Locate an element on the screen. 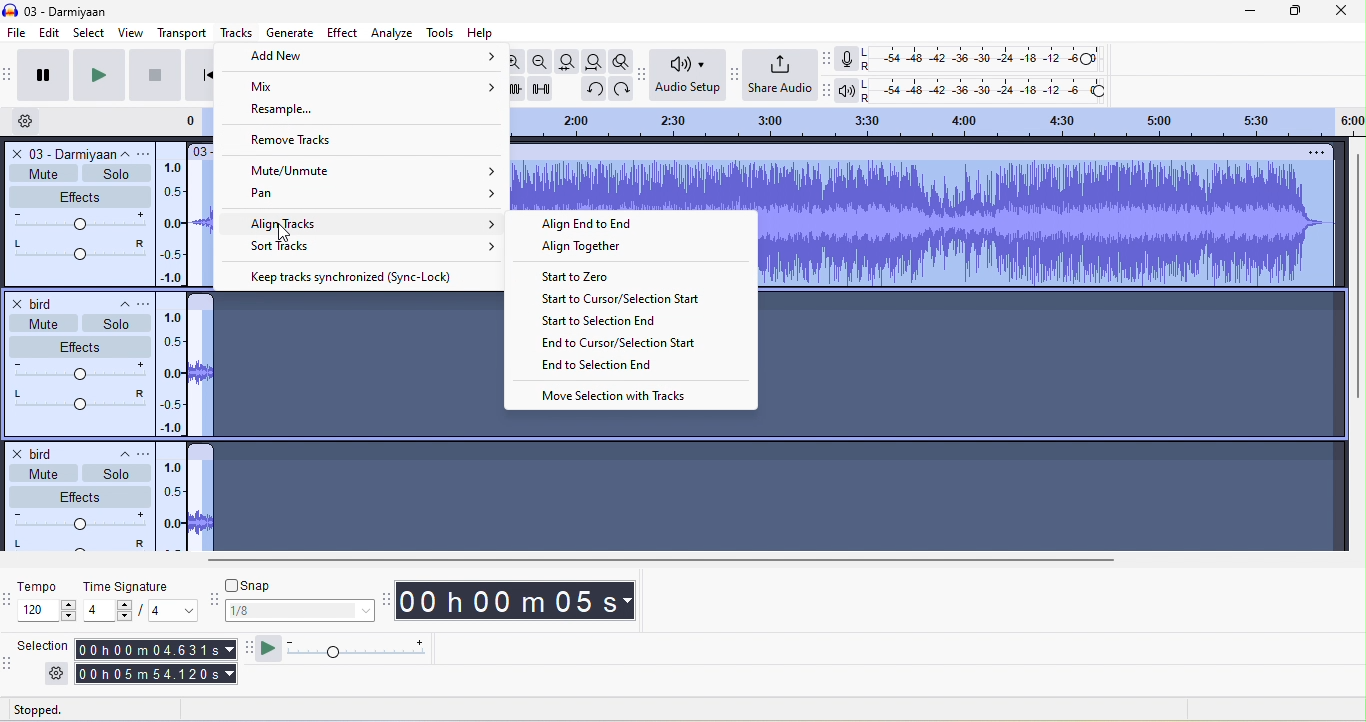 This screenshot has width=1366, height=722. tempo is located at coordinates (49, 589).